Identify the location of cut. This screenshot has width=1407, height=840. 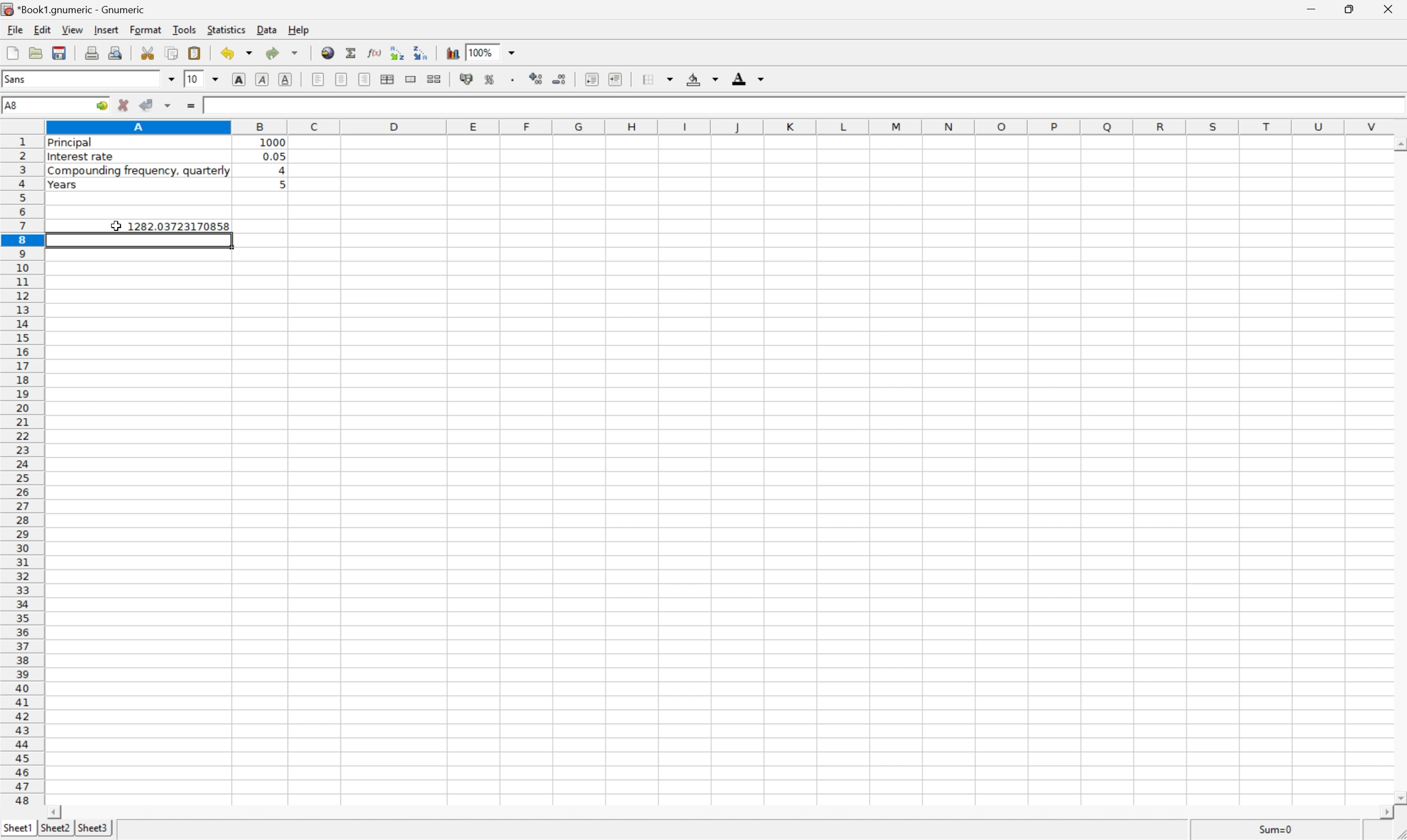
(147, 53).